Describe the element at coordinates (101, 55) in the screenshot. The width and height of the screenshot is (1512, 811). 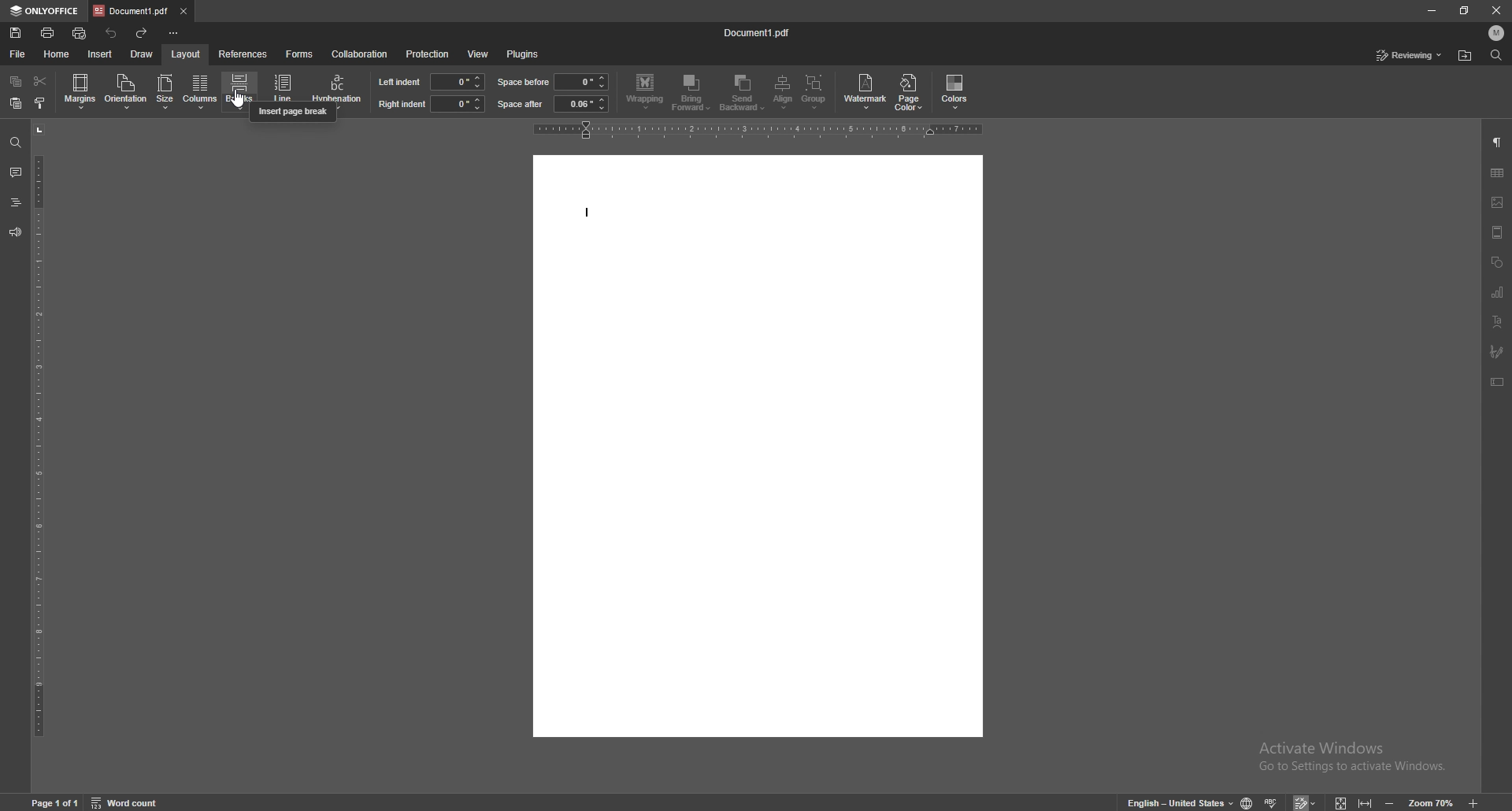
I see `insert` at that location.